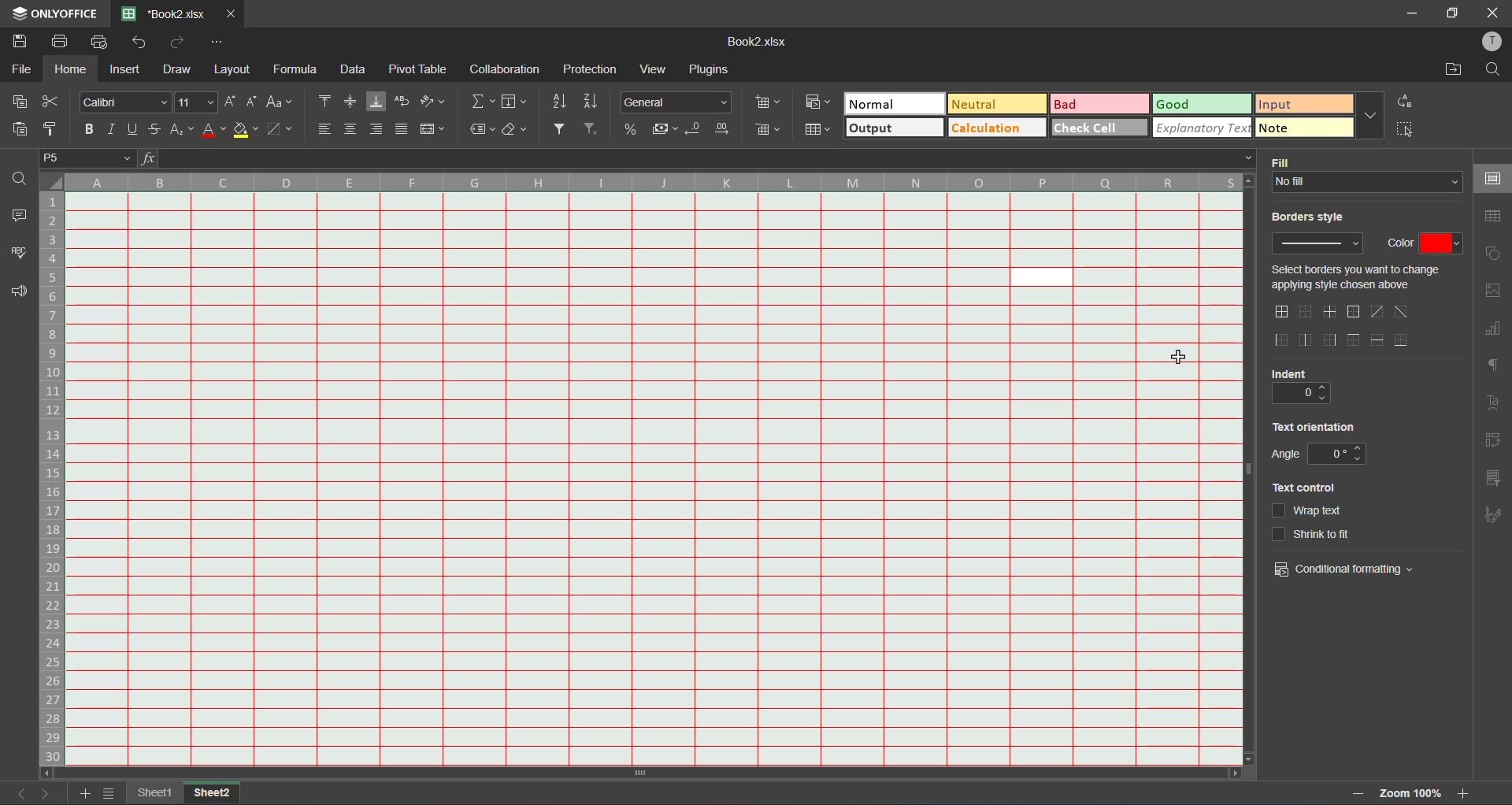  What do you see at coordinates (46, 793) in the screenshot?
I see `next` at bounding box center [46, 793].